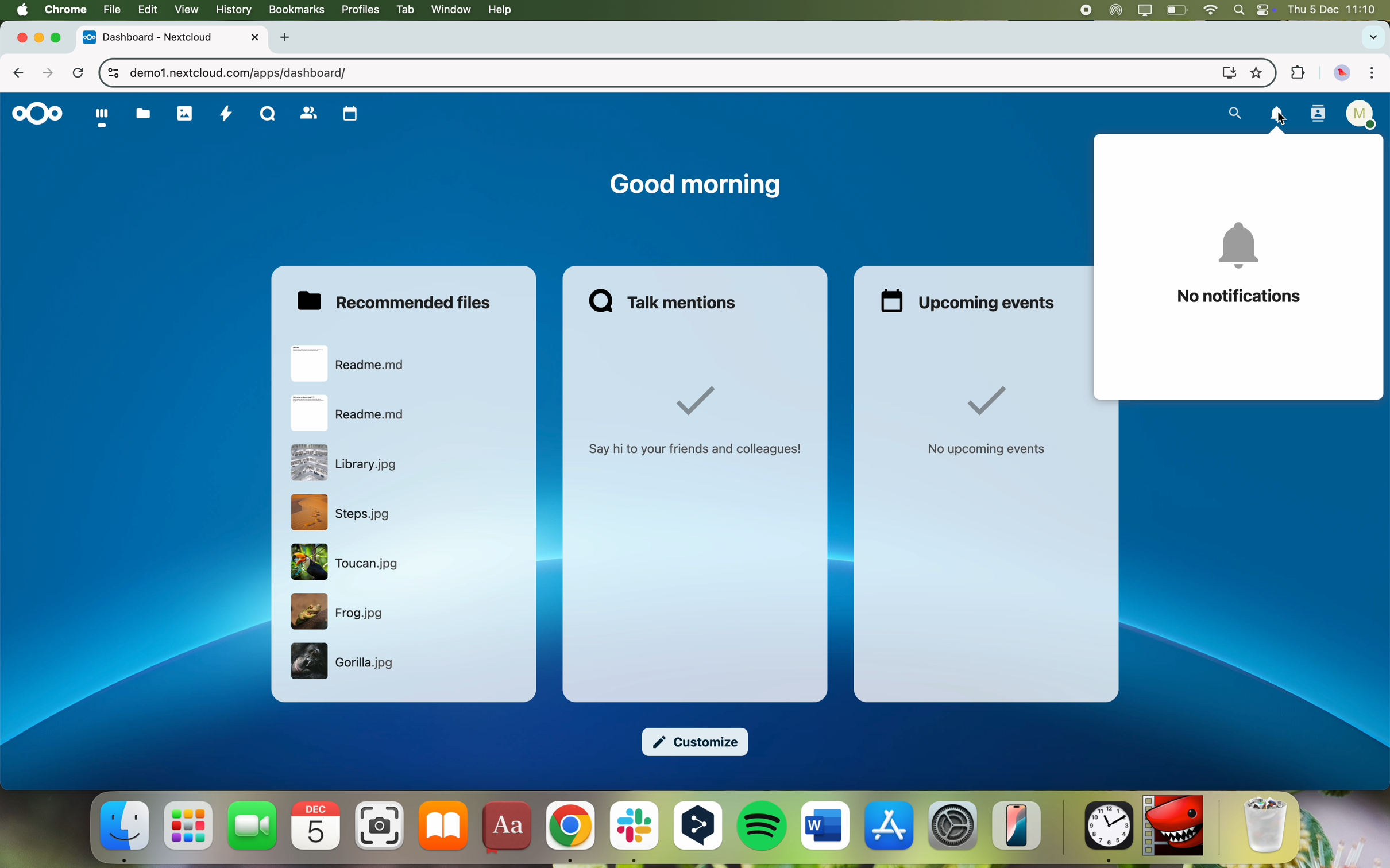 The image size is (1390, 868). Describe the element at coordinates (126, 831) in the screenshot. I see `finder` at that location.